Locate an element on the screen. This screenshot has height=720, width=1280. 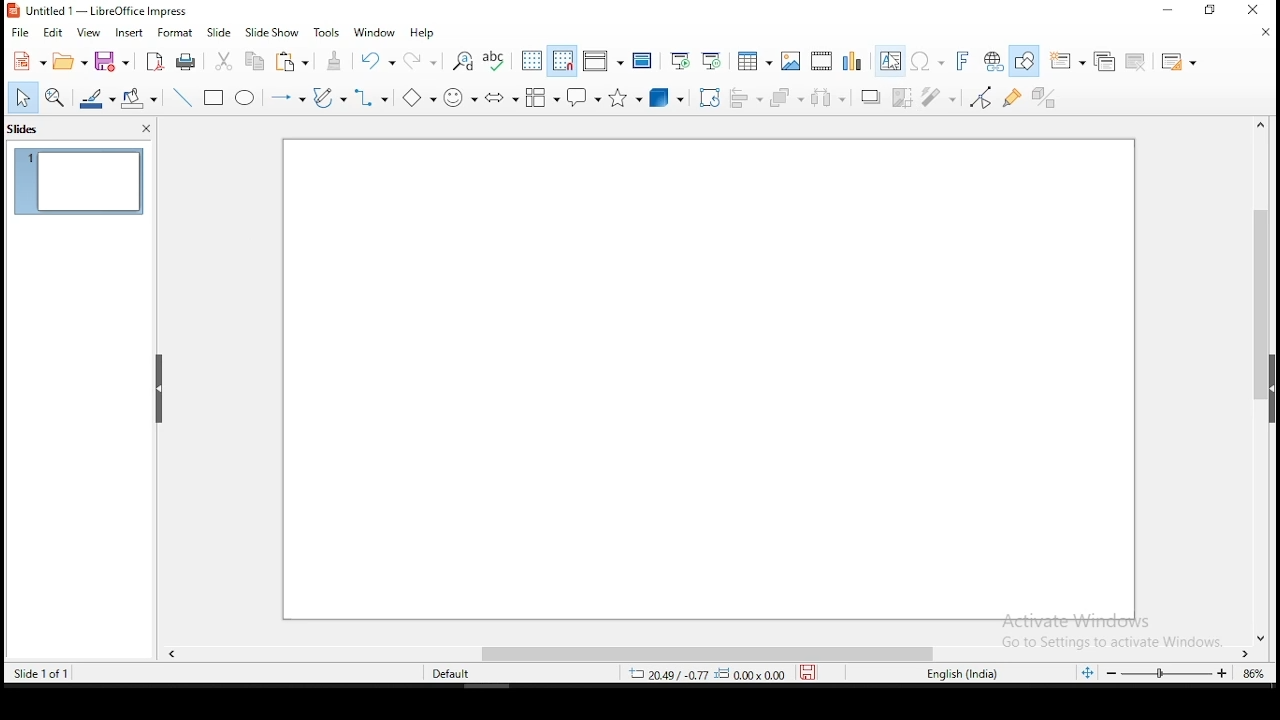
copy is located at coordinates (256, 62).